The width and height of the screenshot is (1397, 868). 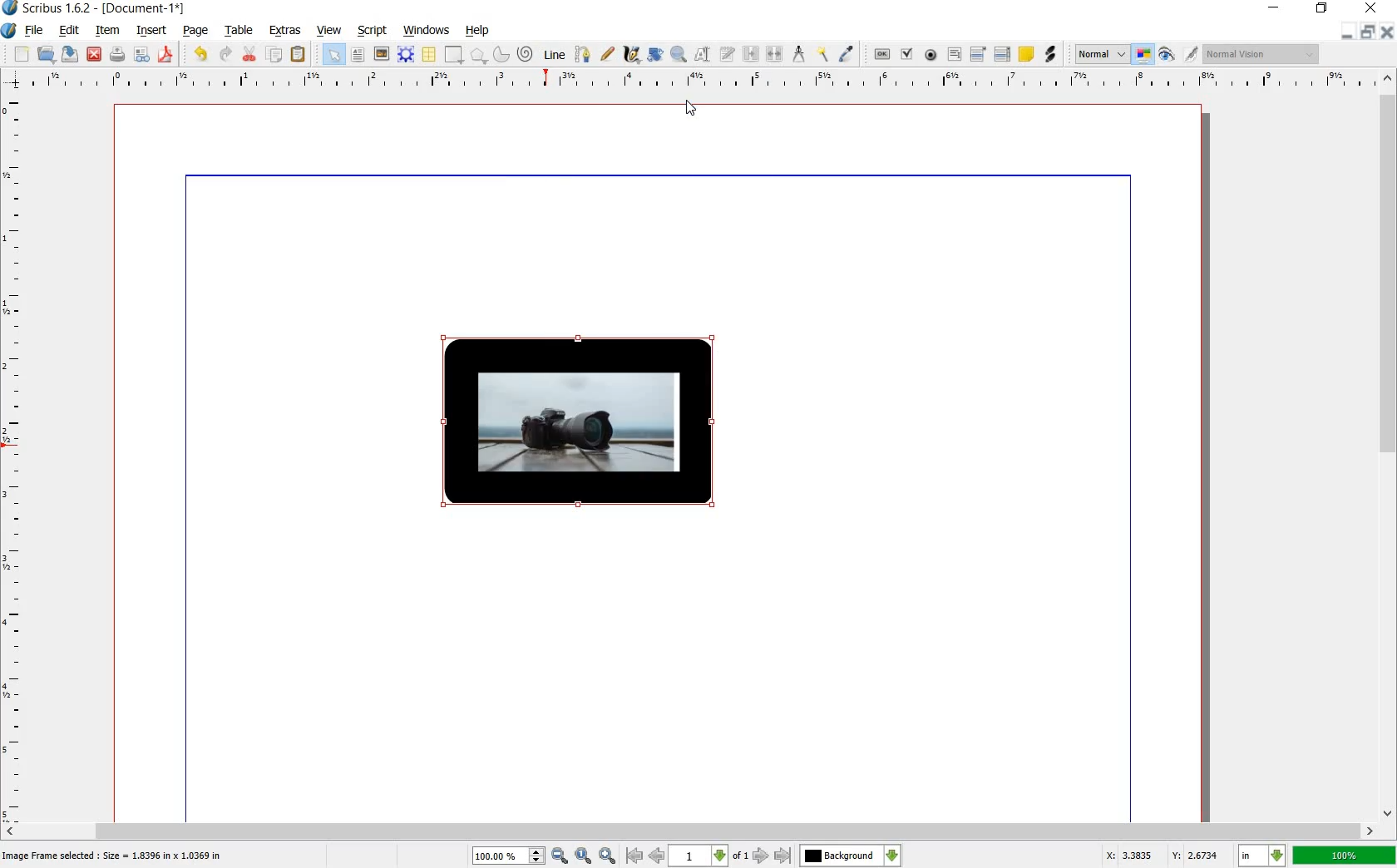 What do you see at coordinates (776, 52) in the screenshot?
I see `unlink text frames` at bounding box center [776, 52].